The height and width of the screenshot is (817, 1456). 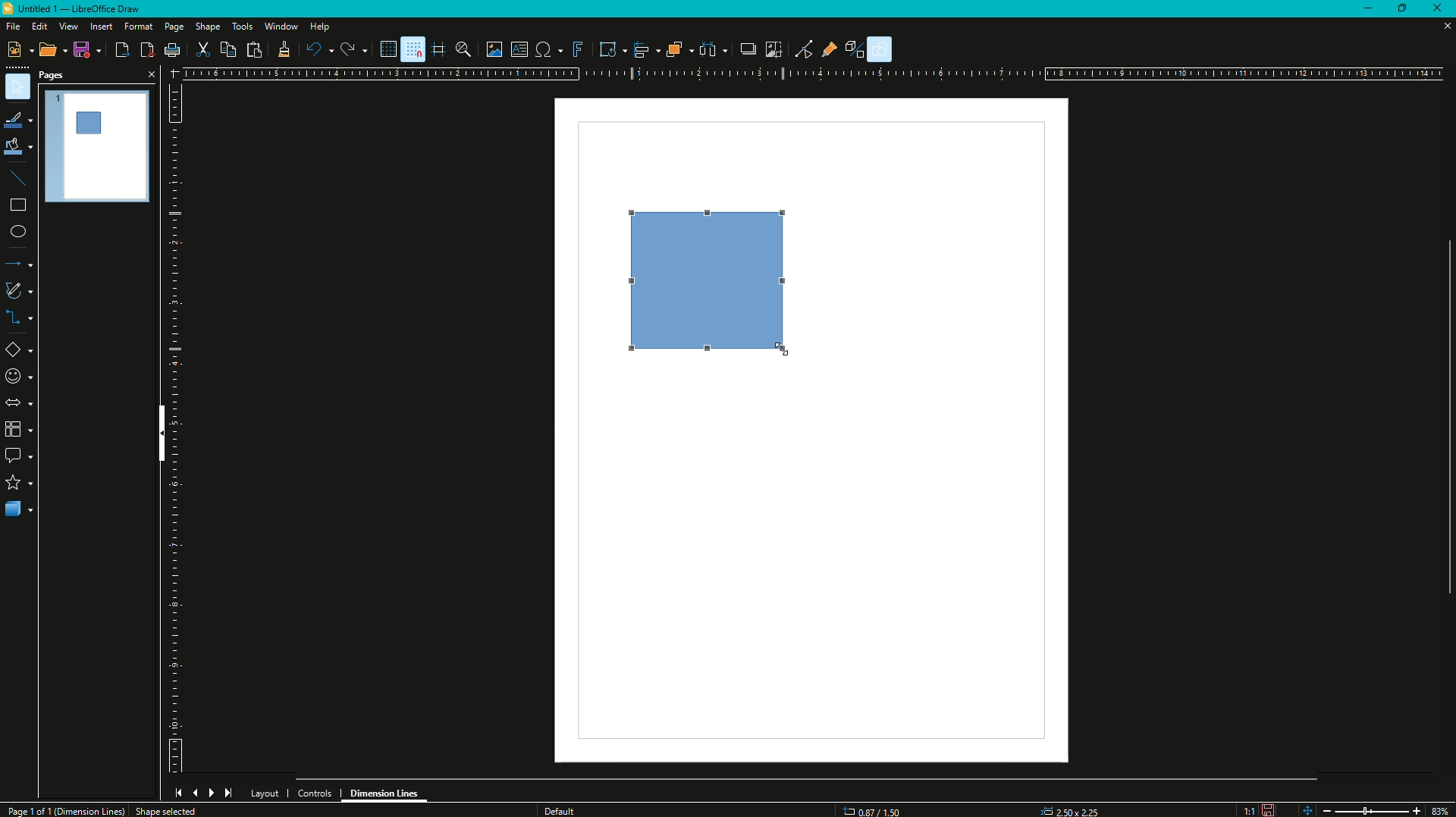 What do you see at coordinates (121, 50) in the screenshot?
I see `Export` at bounding box center [121, 50].